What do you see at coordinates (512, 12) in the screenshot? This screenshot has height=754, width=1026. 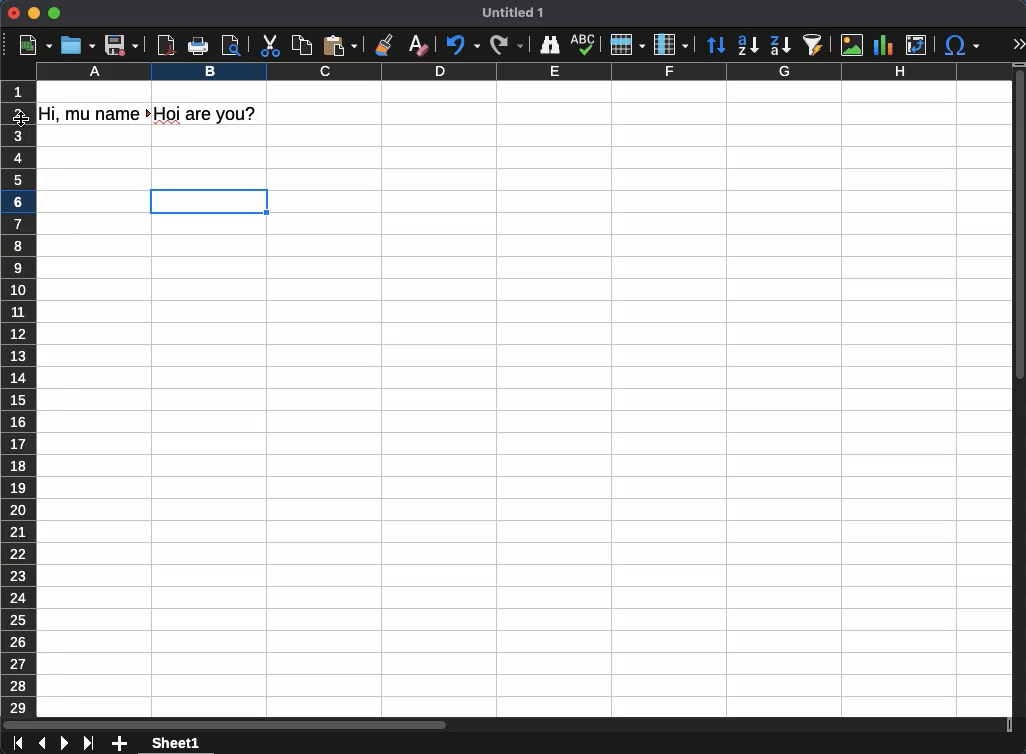 I see `untitled 1` at bounding box center [512, 12].